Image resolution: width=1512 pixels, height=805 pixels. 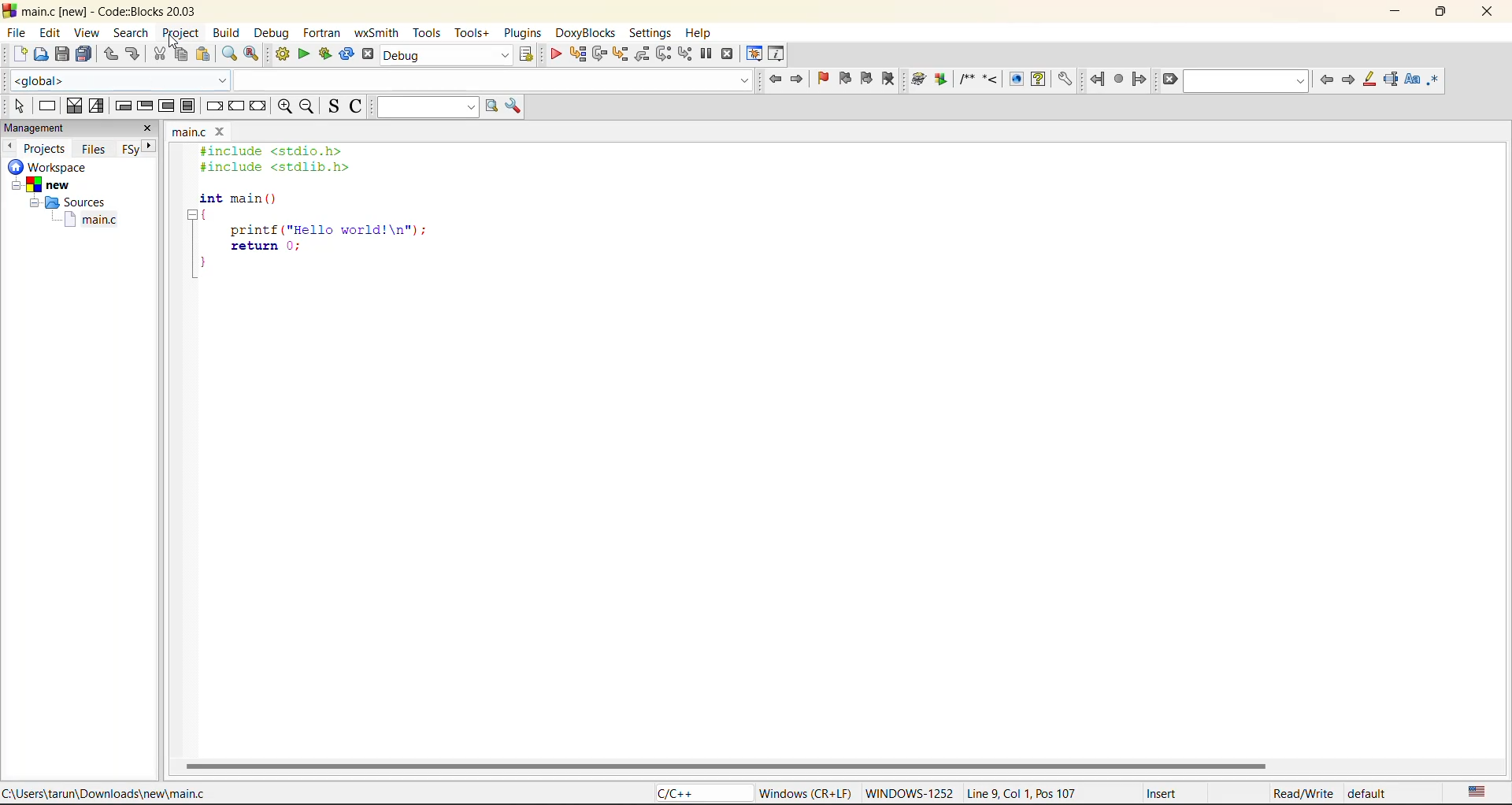 I want to click on select, so click(x=18, y=106).